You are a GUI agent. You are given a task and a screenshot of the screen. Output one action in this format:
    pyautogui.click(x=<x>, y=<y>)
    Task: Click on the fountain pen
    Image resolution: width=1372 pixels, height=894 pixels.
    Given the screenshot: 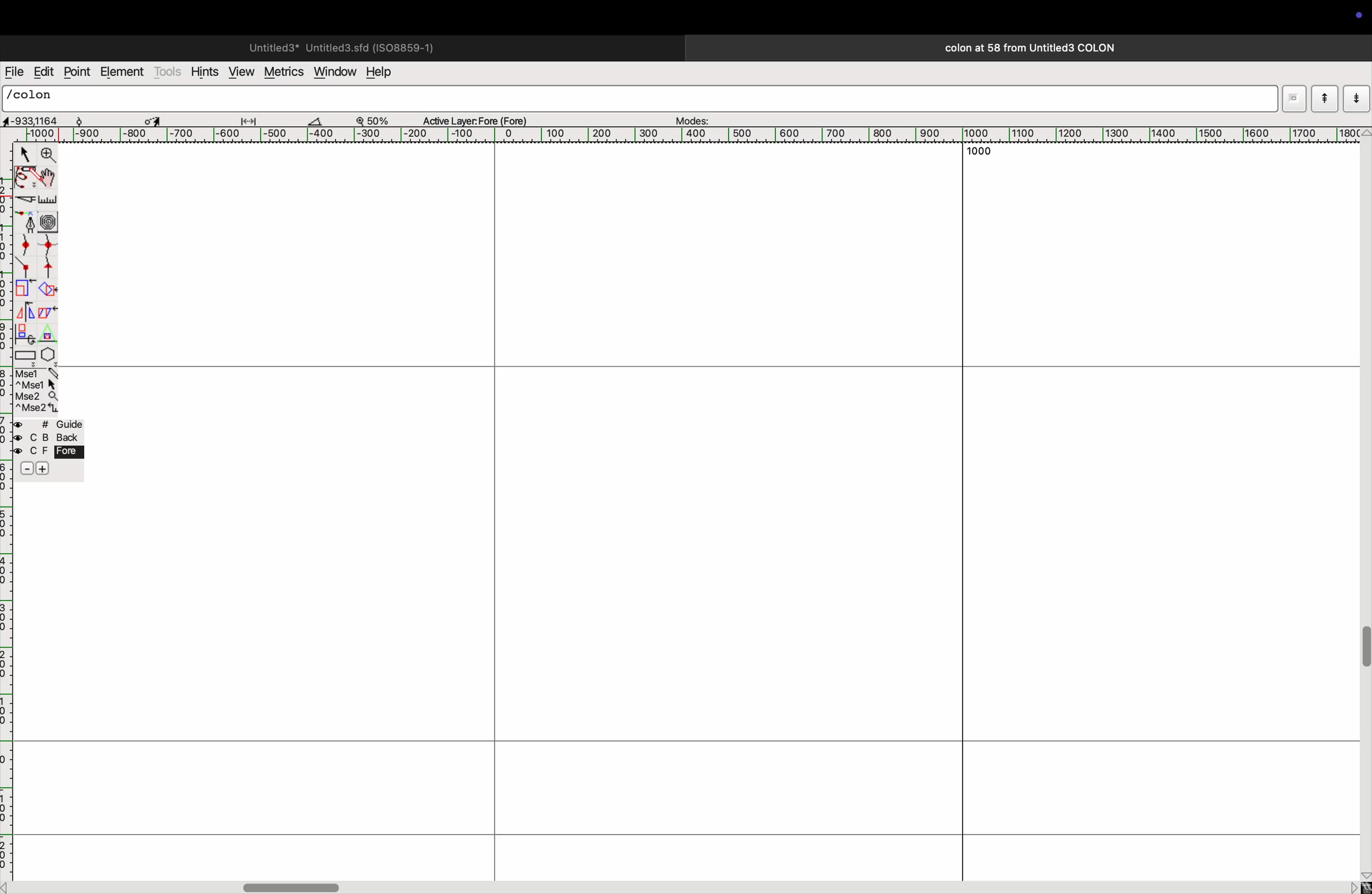 What is the action you would take?
    pyautogui.click(x=26, y=221)
    